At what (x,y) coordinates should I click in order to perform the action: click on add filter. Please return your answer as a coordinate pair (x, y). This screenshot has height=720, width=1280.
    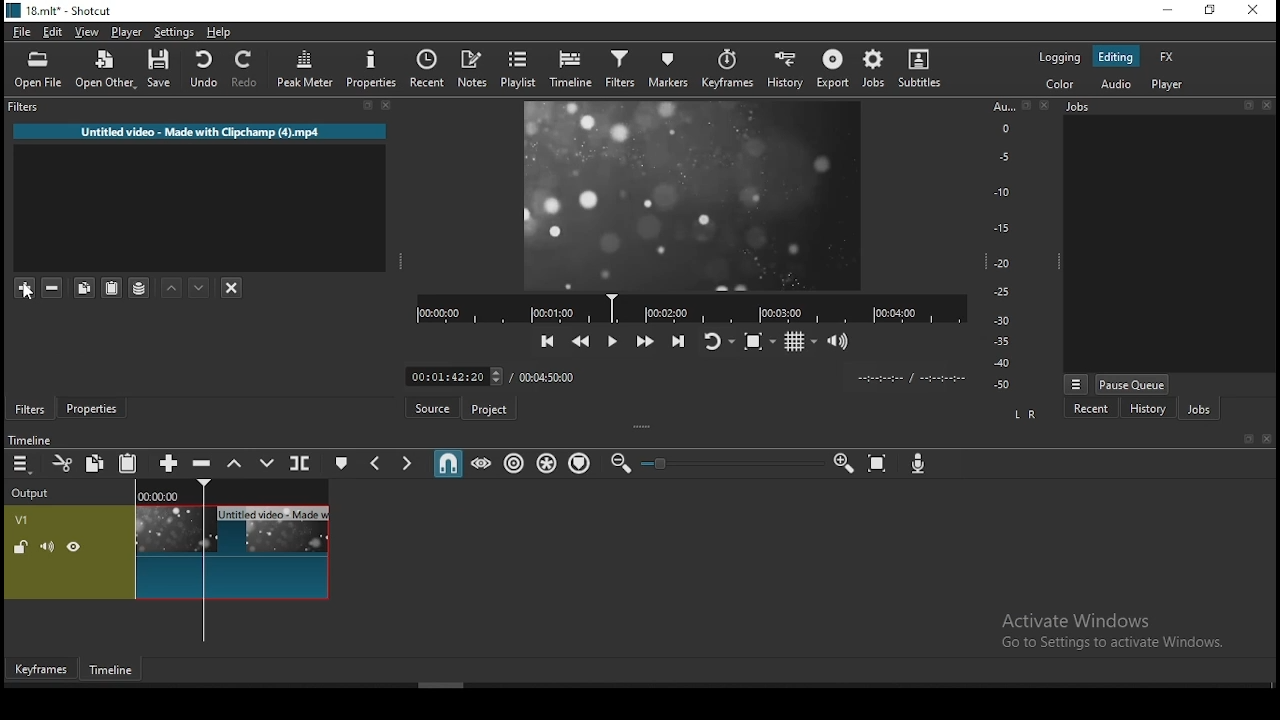
    Looking at the image, I should click on (24, 290).